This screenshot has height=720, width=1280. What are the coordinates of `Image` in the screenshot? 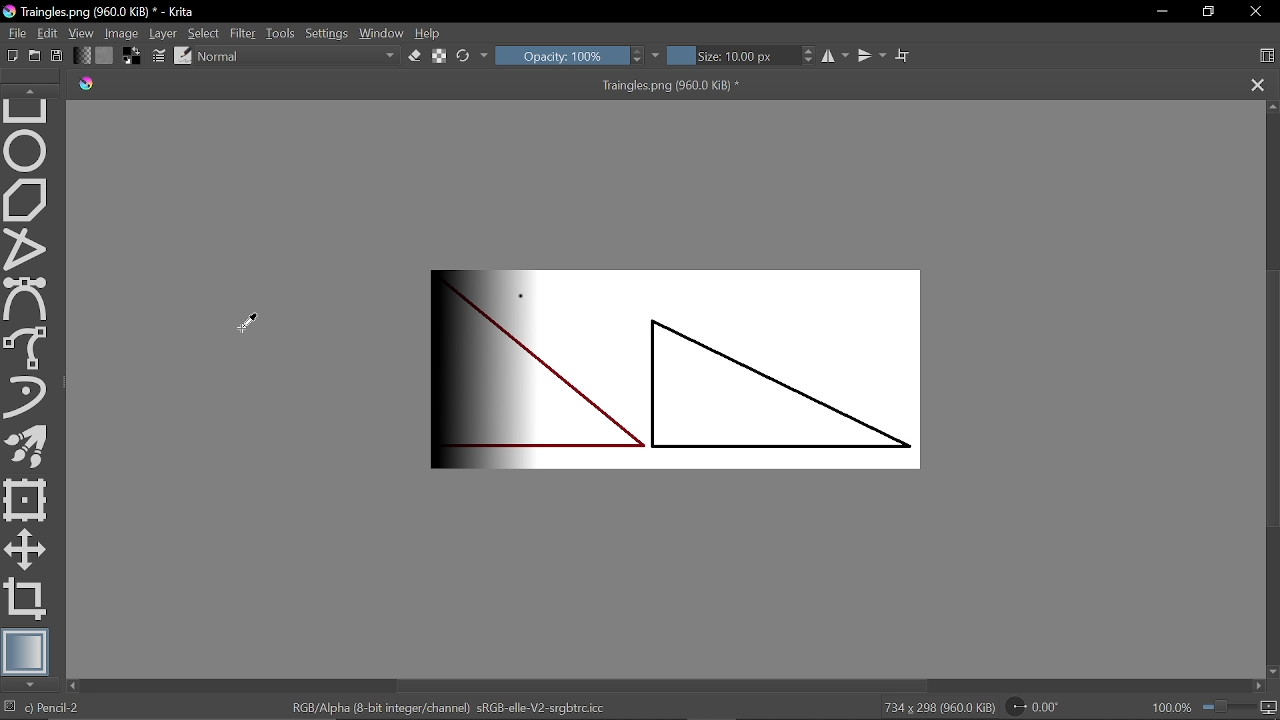 It's located at (121, 33).